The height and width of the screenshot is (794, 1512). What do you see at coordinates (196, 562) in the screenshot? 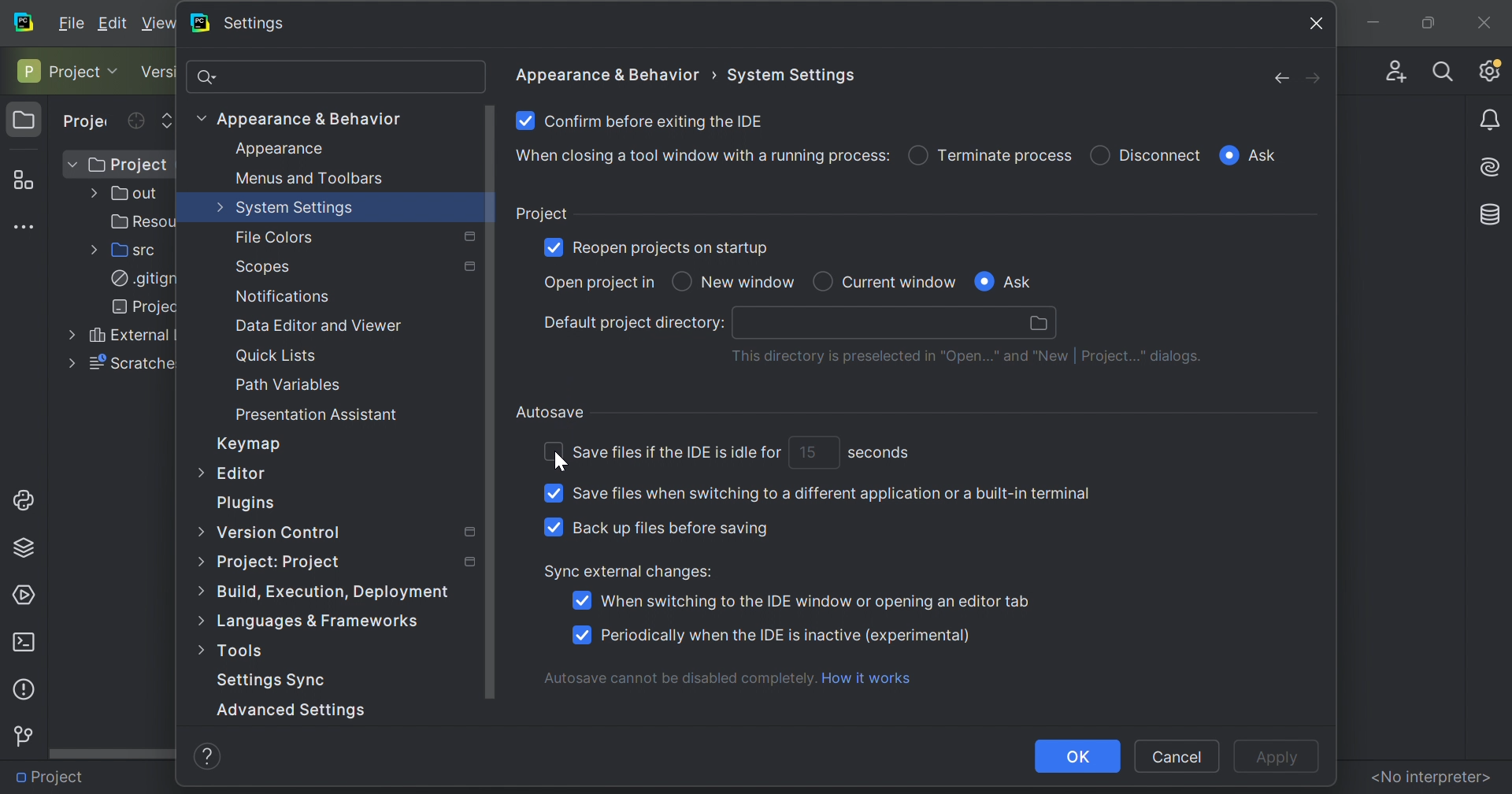
I see `More` at bounding box center [196, 562].